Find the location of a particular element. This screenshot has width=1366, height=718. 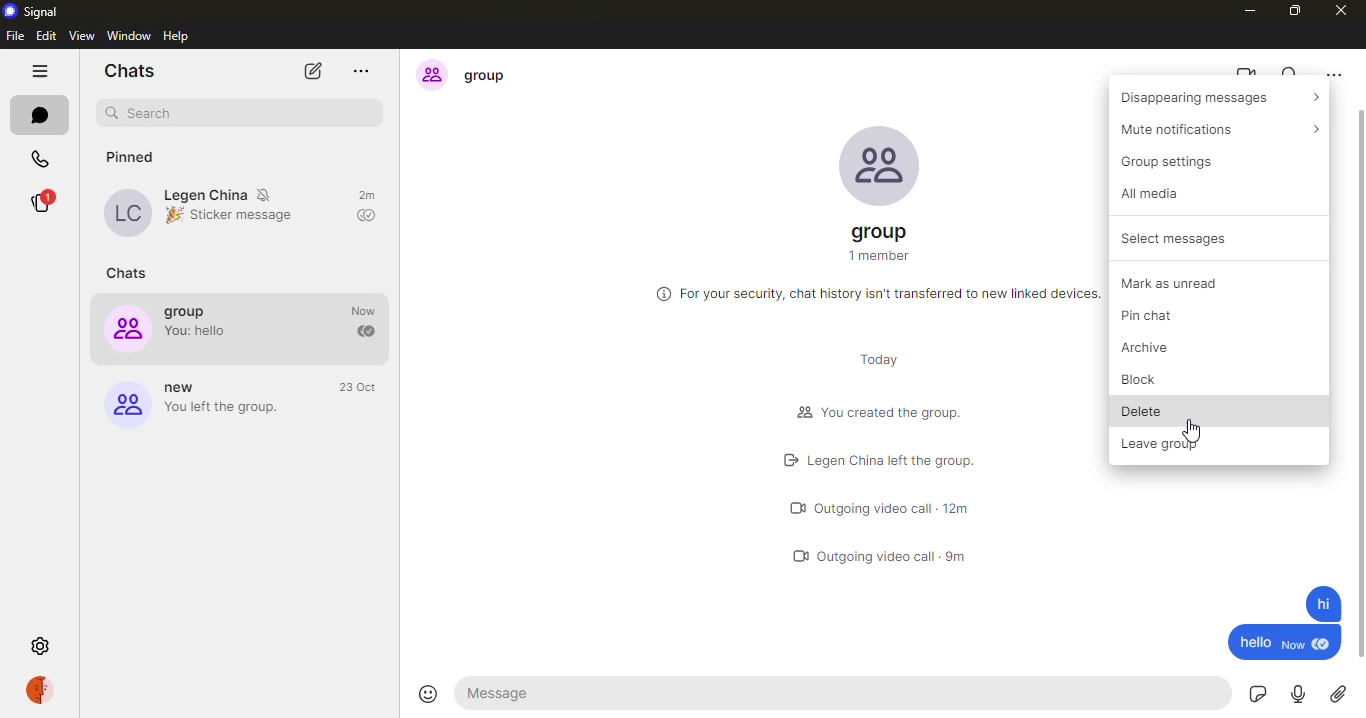

stories is located at coordinates (43, 196).